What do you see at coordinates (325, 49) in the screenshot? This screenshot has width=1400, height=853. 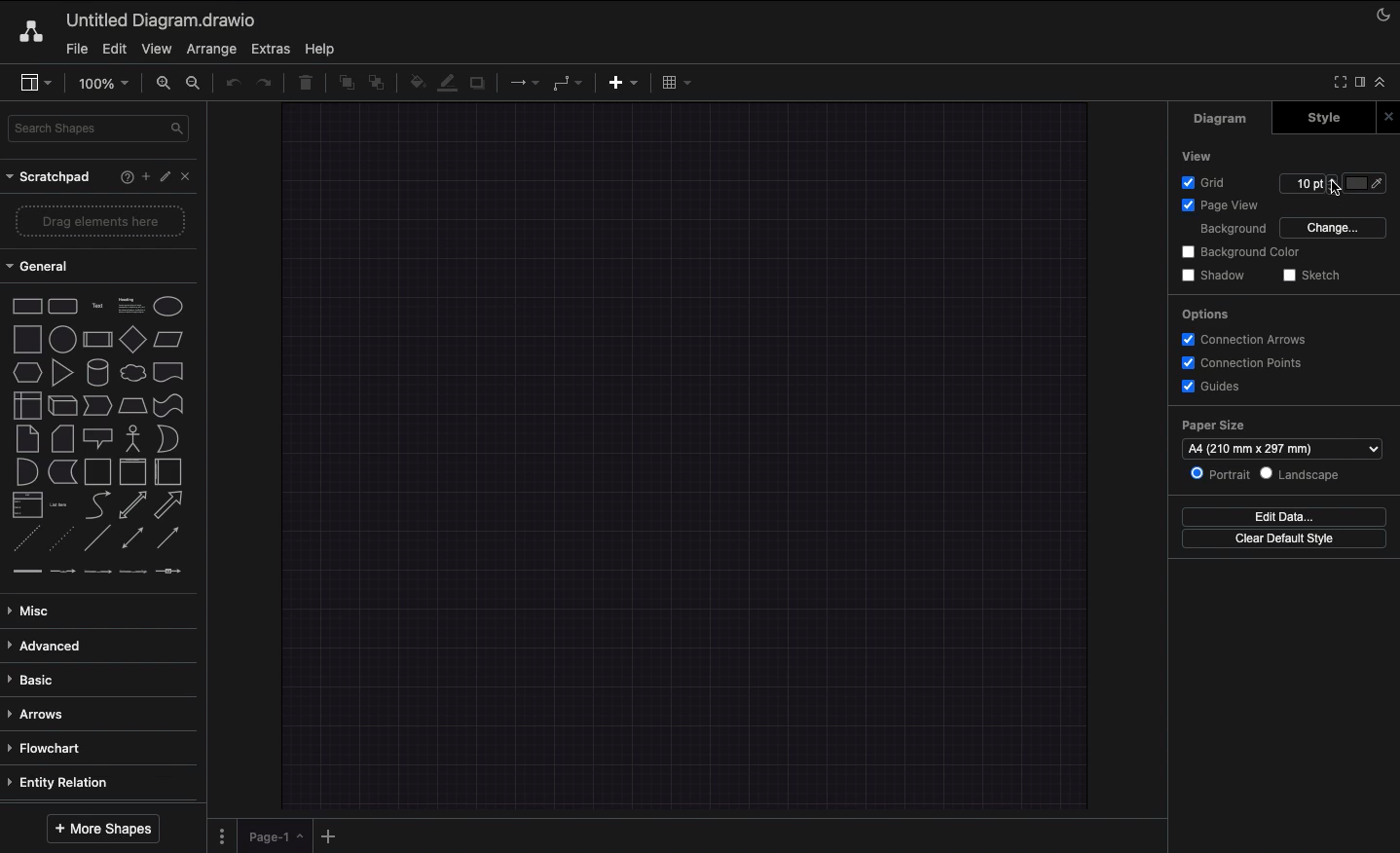 I see `Help` at bounding box center [325, 49].